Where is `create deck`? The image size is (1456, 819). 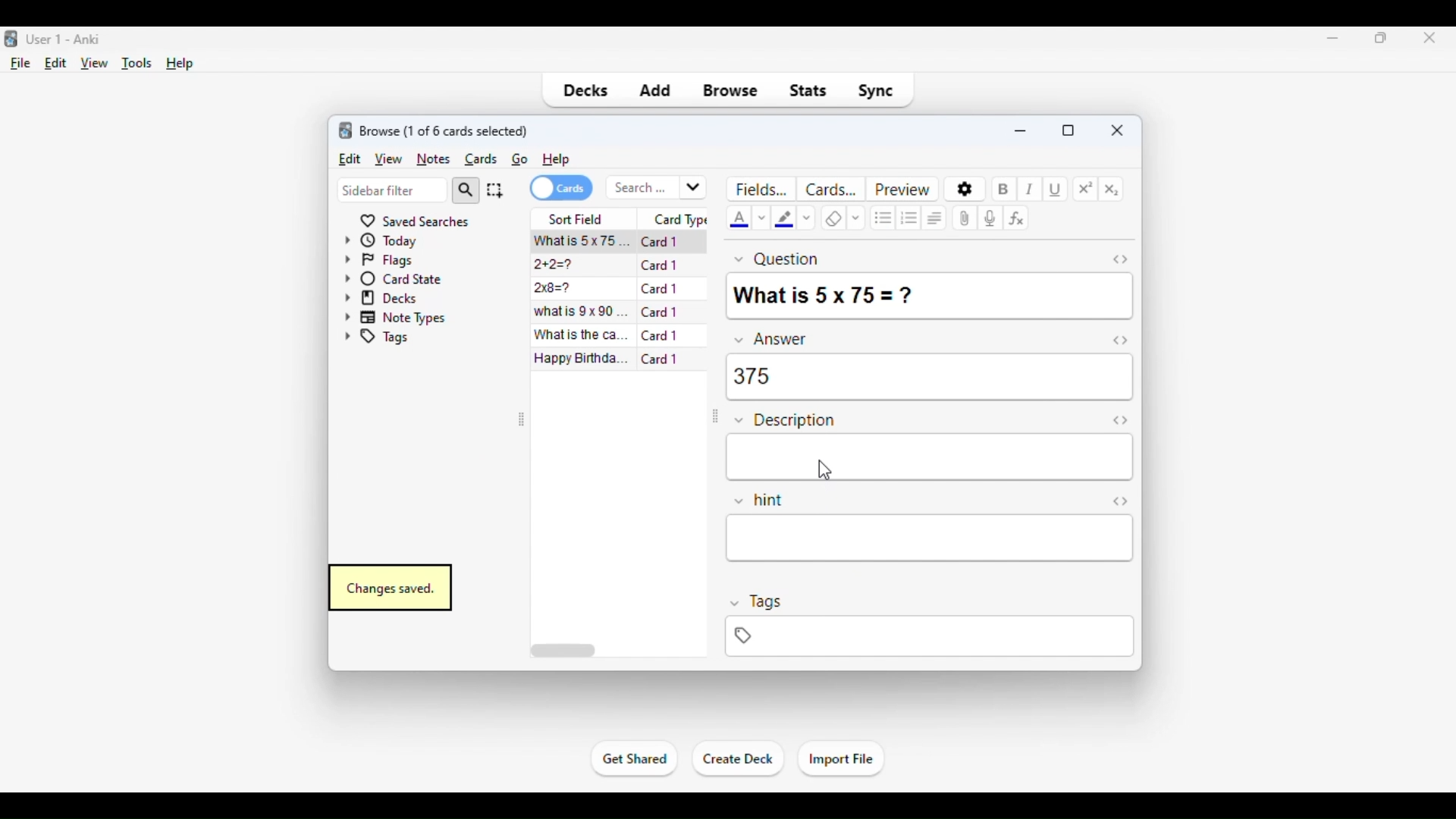 create deck is located at coordinates (739, 759).